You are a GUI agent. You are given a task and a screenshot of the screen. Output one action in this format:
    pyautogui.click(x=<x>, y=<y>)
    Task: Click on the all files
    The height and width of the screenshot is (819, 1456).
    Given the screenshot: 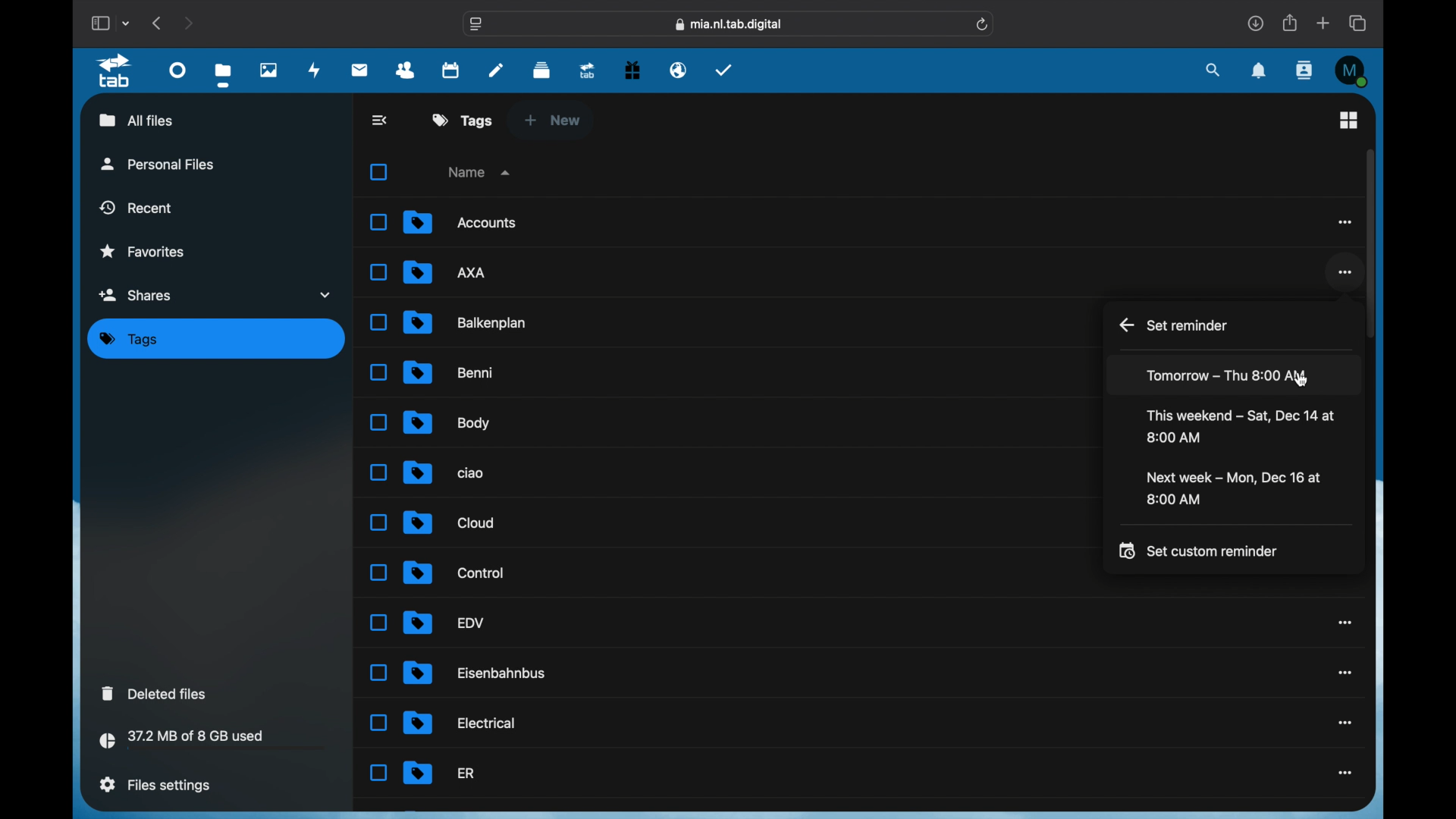 What is the action you would take?
    pyautogui.click(x=136, y=120)
    